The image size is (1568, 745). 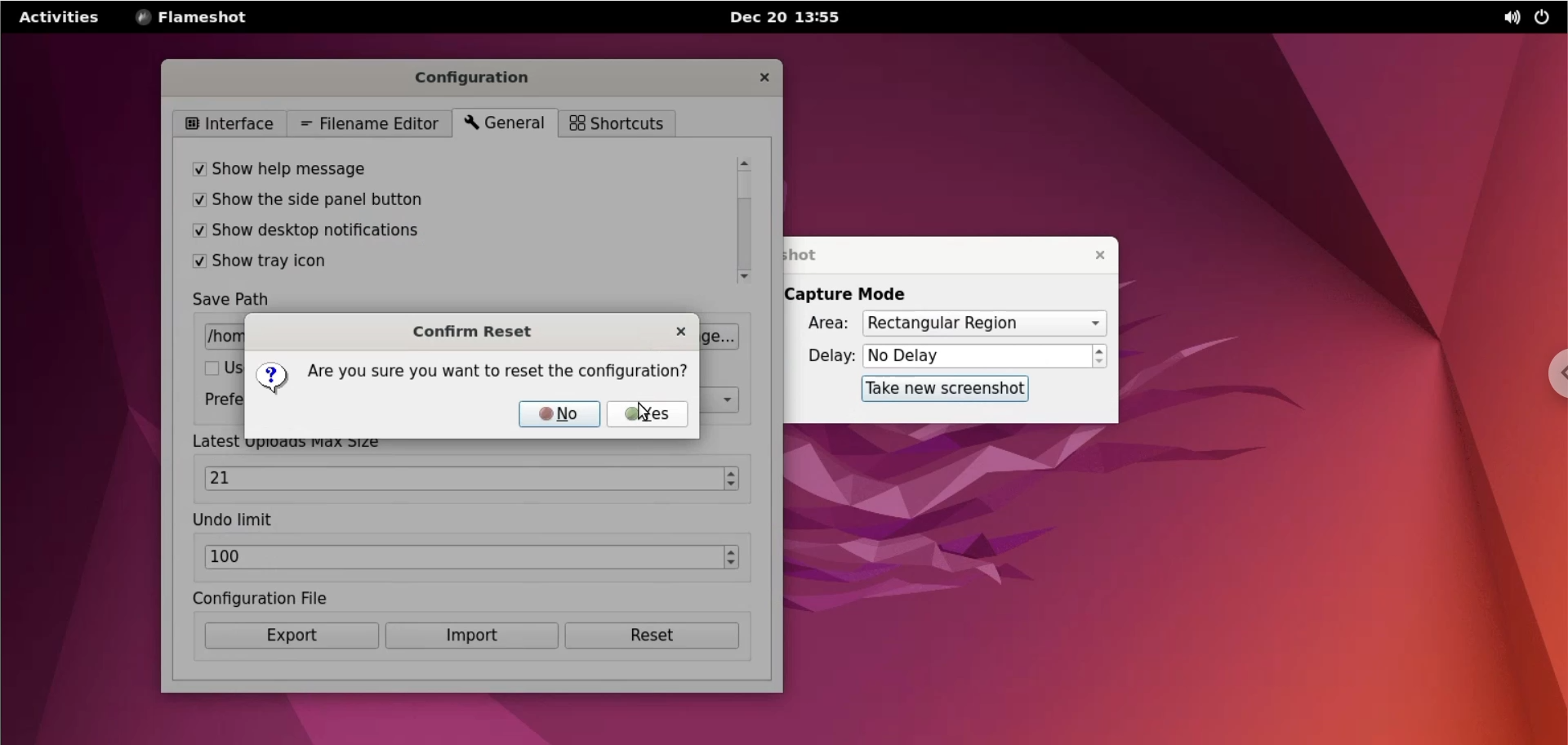 What do you see at coordinates (246, 520) in the screenshot?
I see `undo limit ` at bounding box center [246, 520].